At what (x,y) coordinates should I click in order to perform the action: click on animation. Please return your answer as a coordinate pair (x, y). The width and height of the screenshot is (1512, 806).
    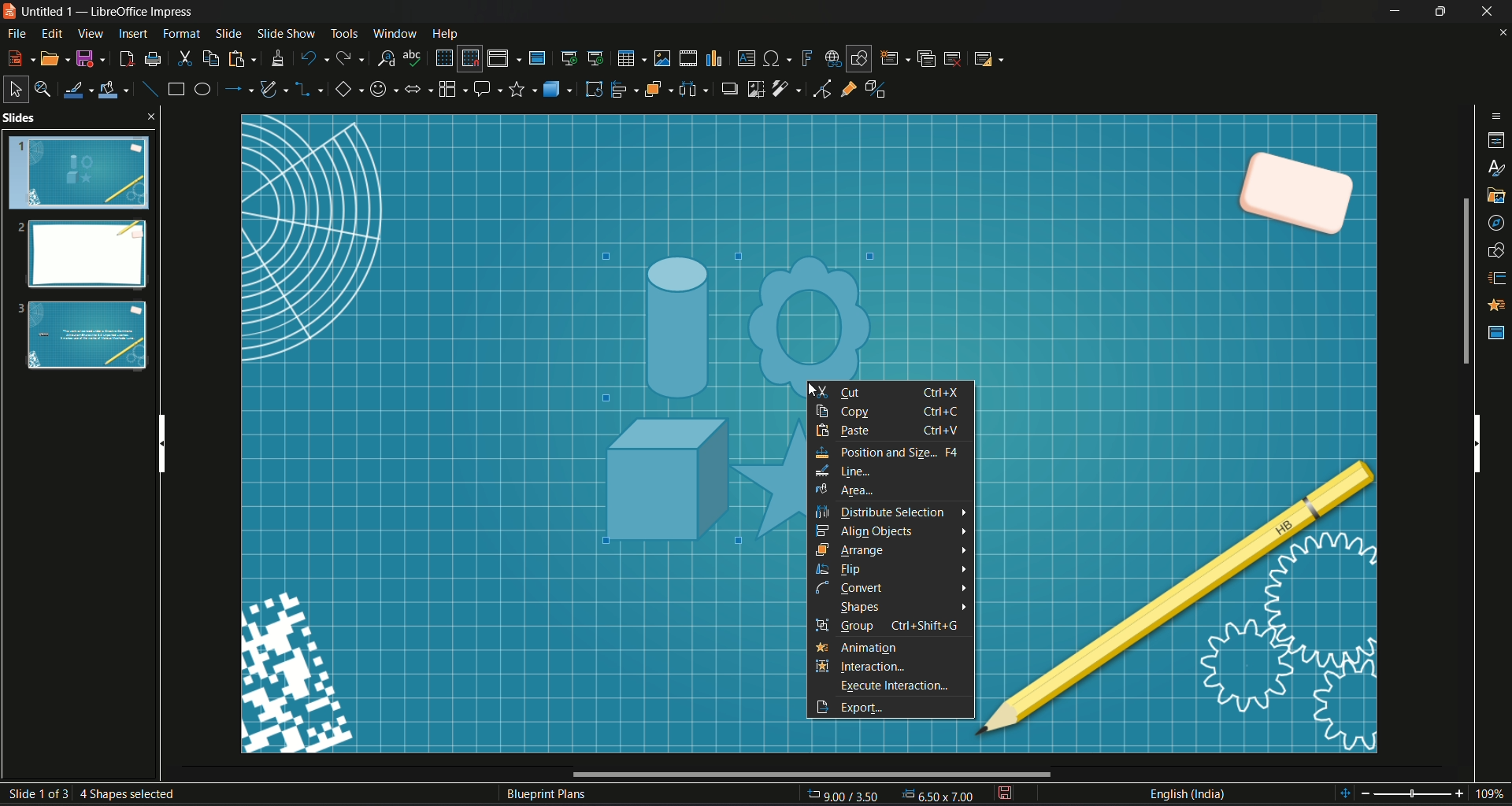
    Looking at the image, I should click on (821, 647).